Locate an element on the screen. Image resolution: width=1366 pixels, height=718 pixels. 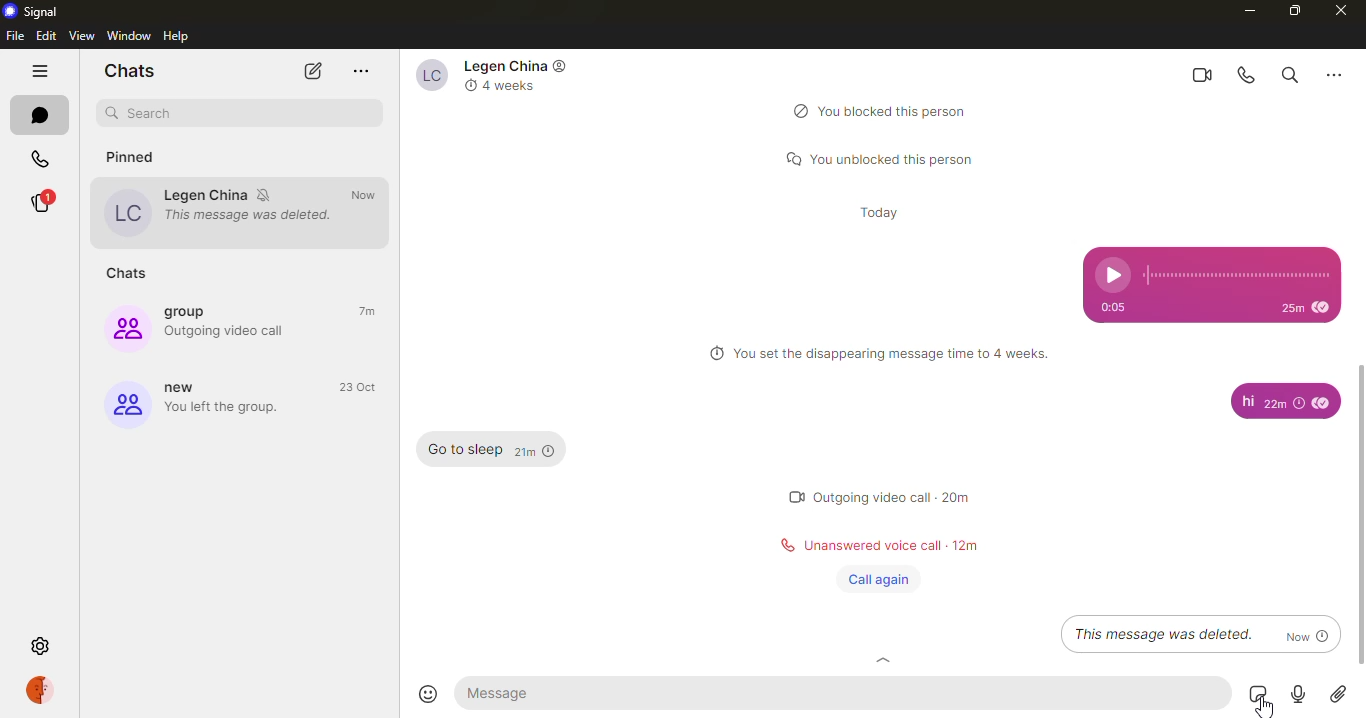
the message was deleted is located at coordinates (1163, 634).